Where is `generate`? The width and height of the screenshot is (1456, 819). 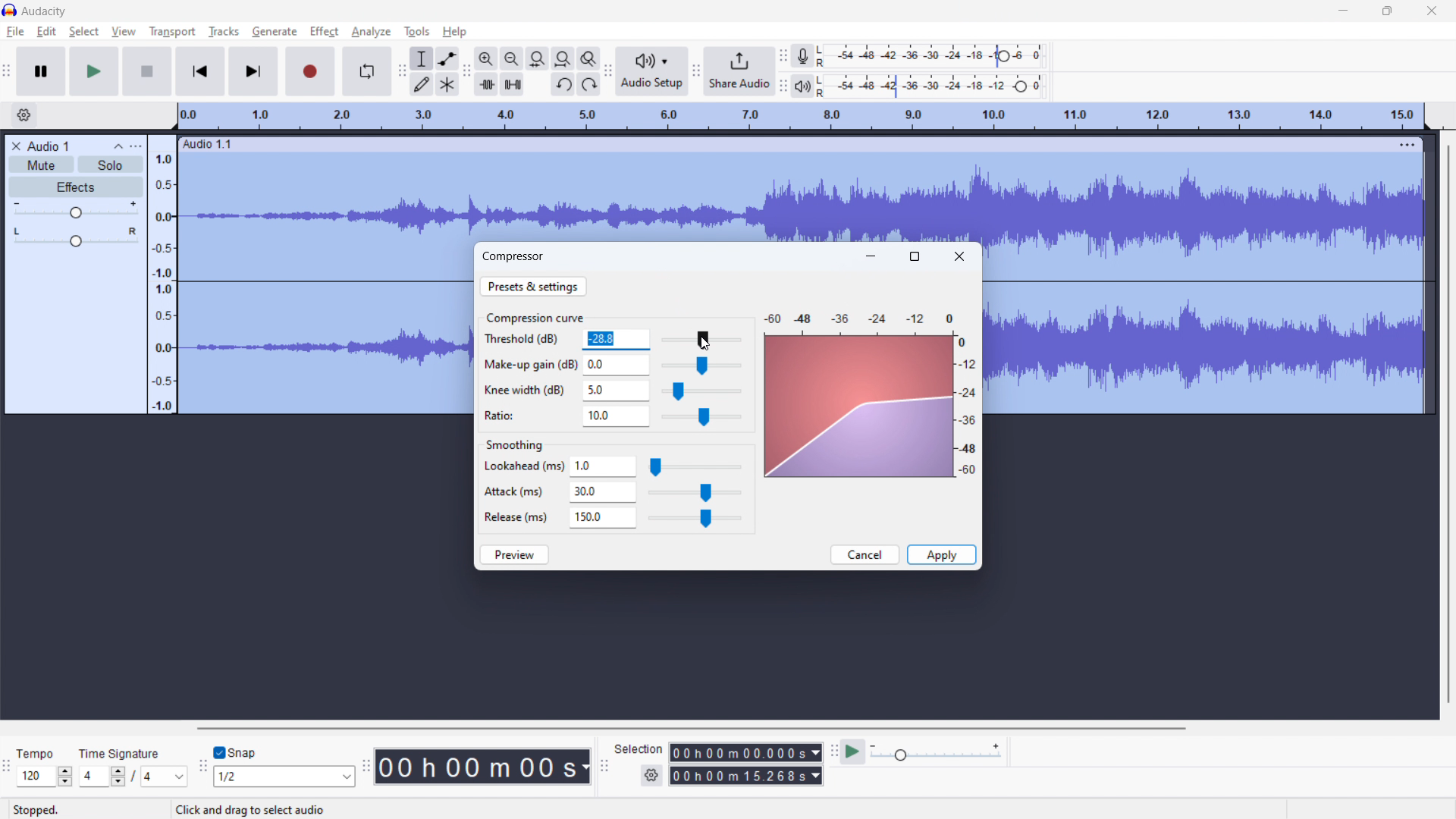
generate is located at coordinates (275, 32).